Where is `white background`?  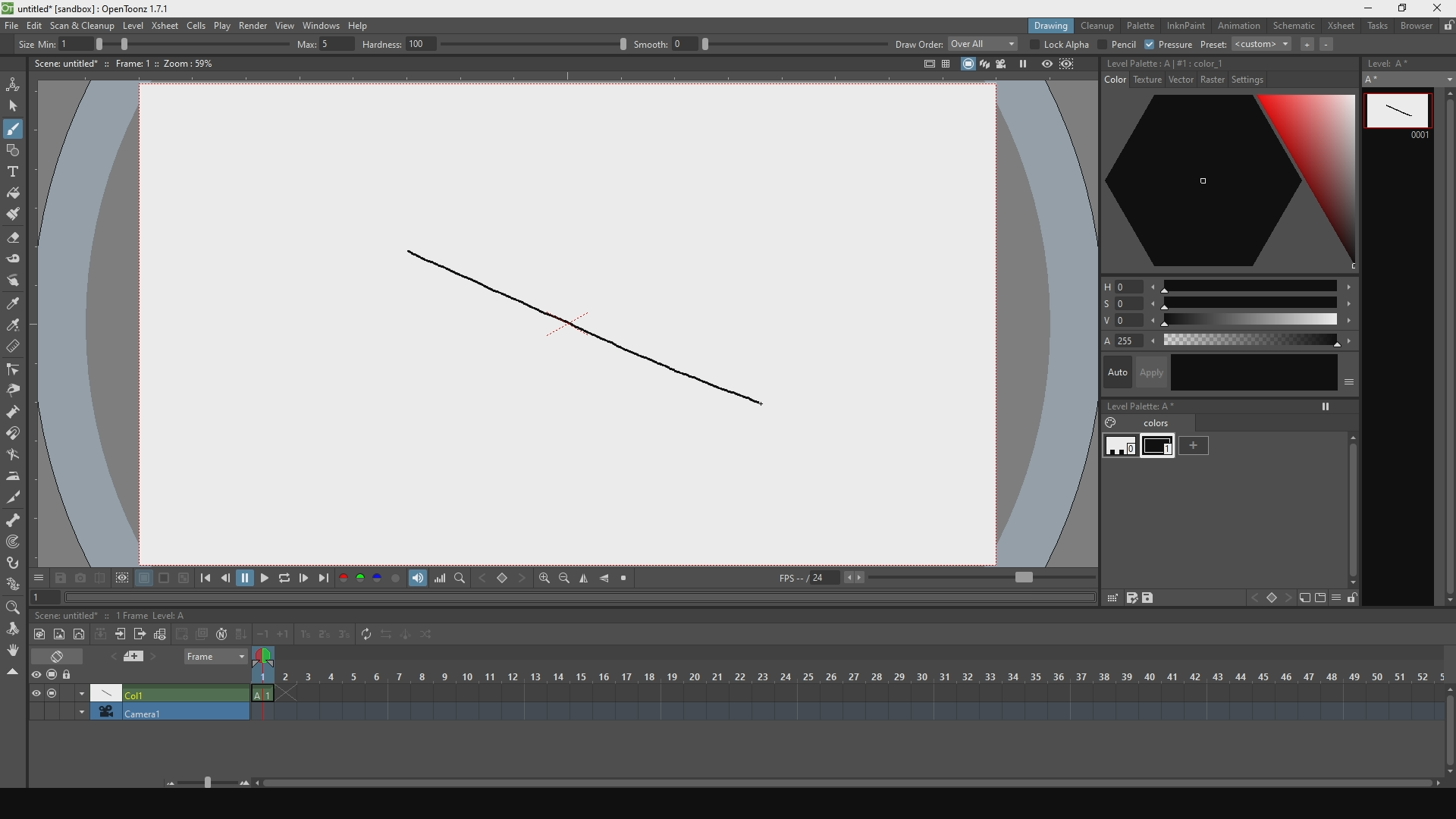 white background is located at coordinates (144, 580).